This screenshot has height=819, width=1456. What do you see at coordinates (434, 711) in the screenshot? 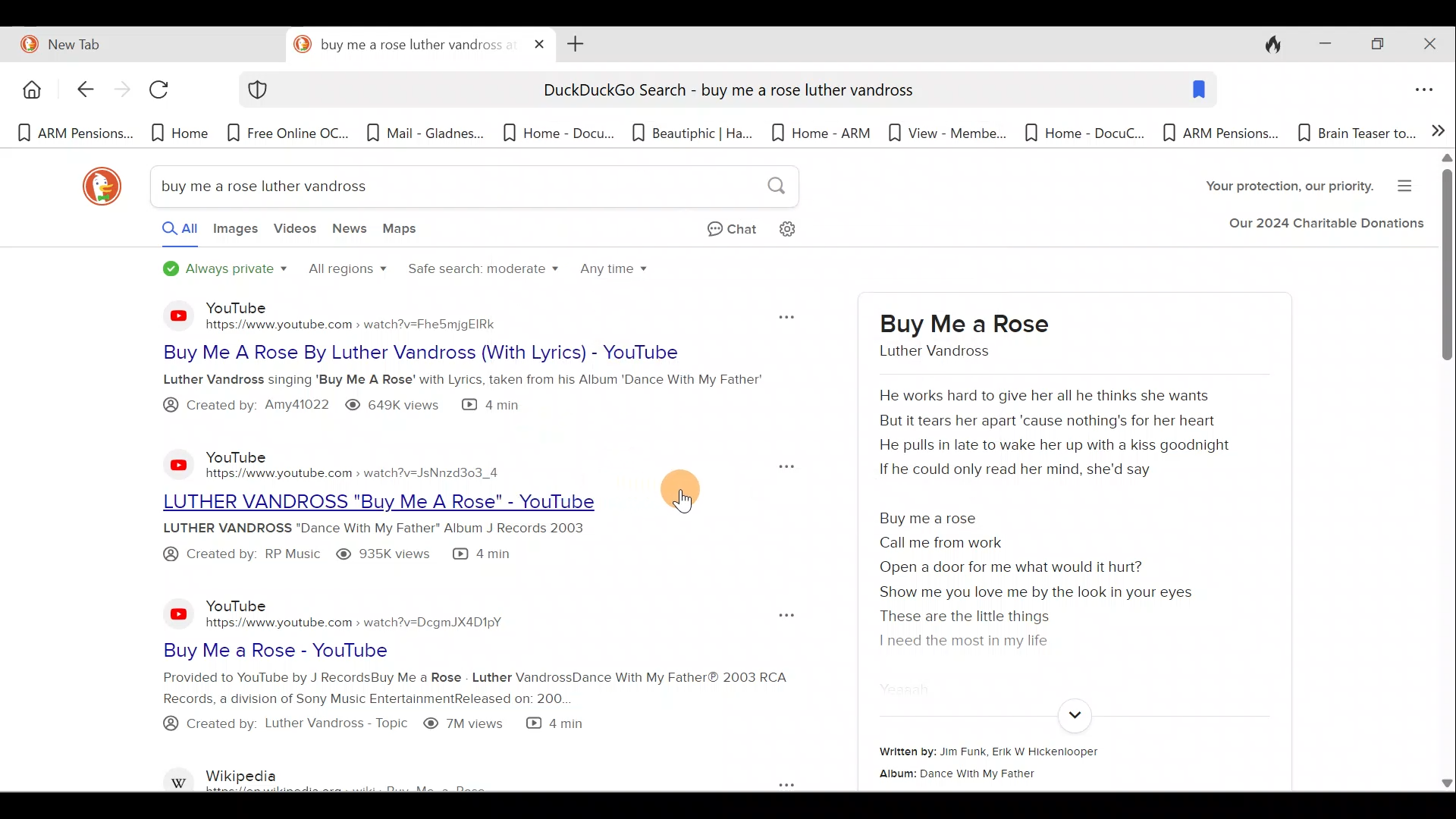
I see `Provided to YouTube by J RecordsBuy Me a Rose - Luther VandrossDance With My Father® 2003 RCA
Records, a division of Sony Music EntertainmentReleased on: 200.
@ Created by: Luther Vandross - Topic ® 7Mviews (& 4 min` at bounding box center [434, 711].